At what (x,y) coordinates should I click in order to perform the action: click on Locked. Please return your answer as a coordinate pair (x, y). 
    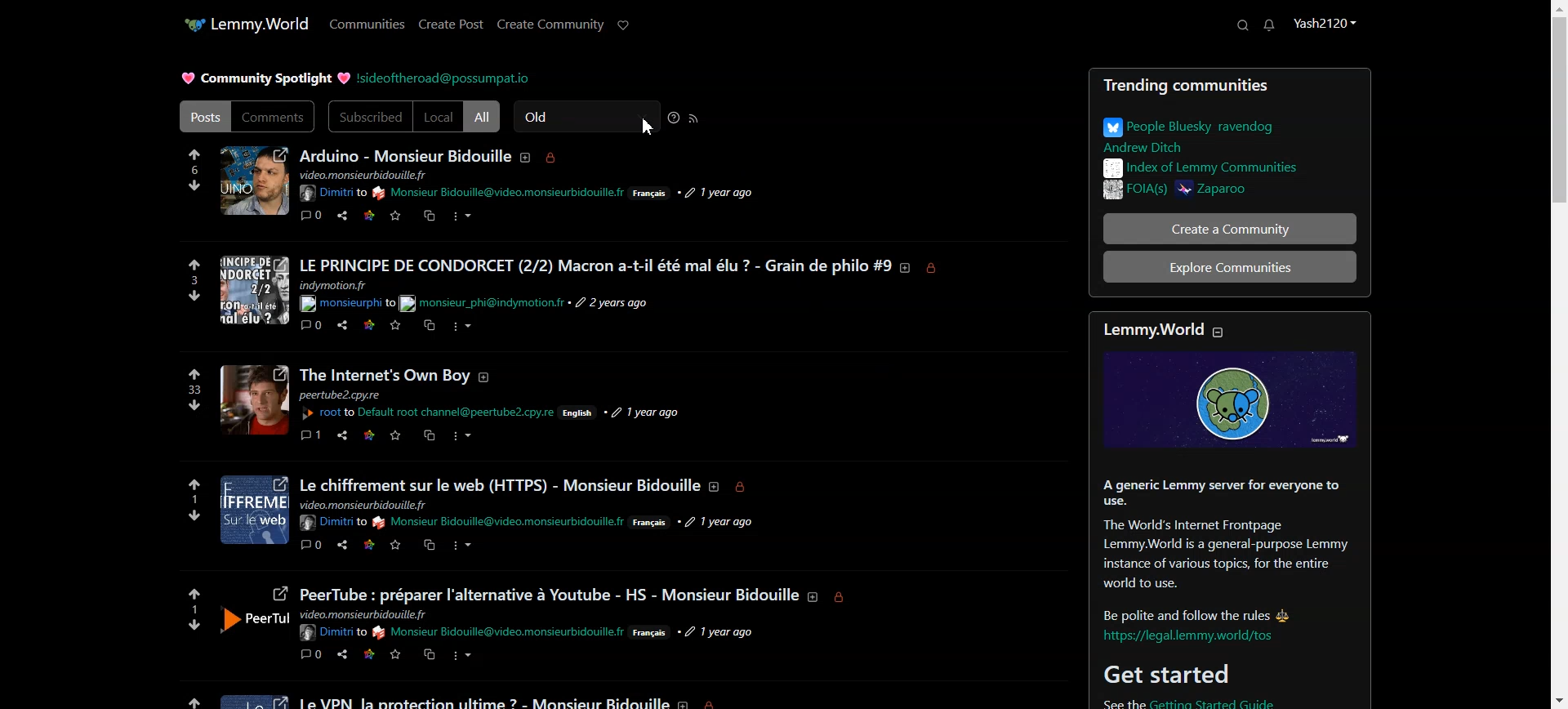
    Looking at the image, I should click on (551, 158).